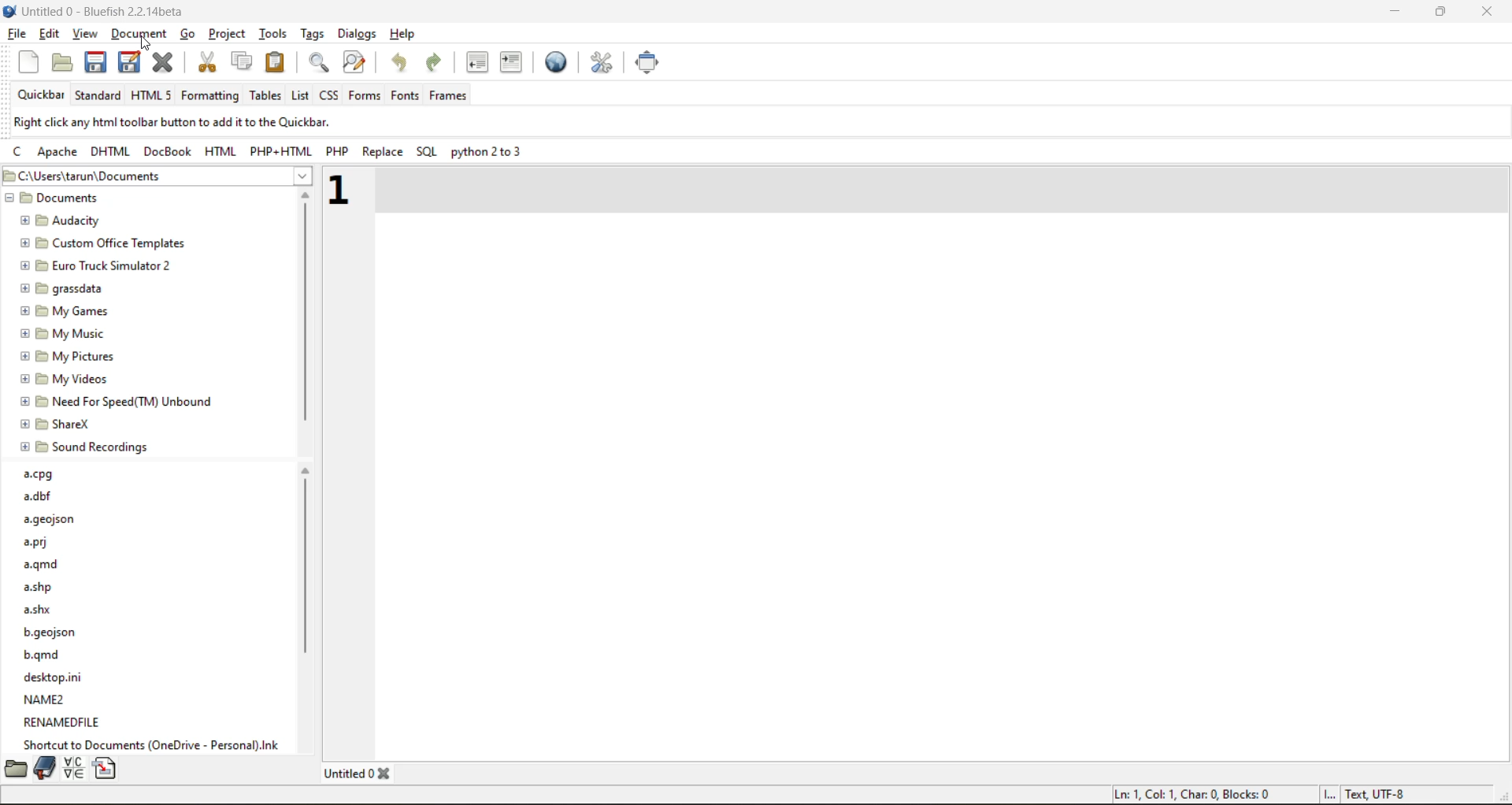 The image size is (1512, 805). I want to click on replace, so click(382, 152).